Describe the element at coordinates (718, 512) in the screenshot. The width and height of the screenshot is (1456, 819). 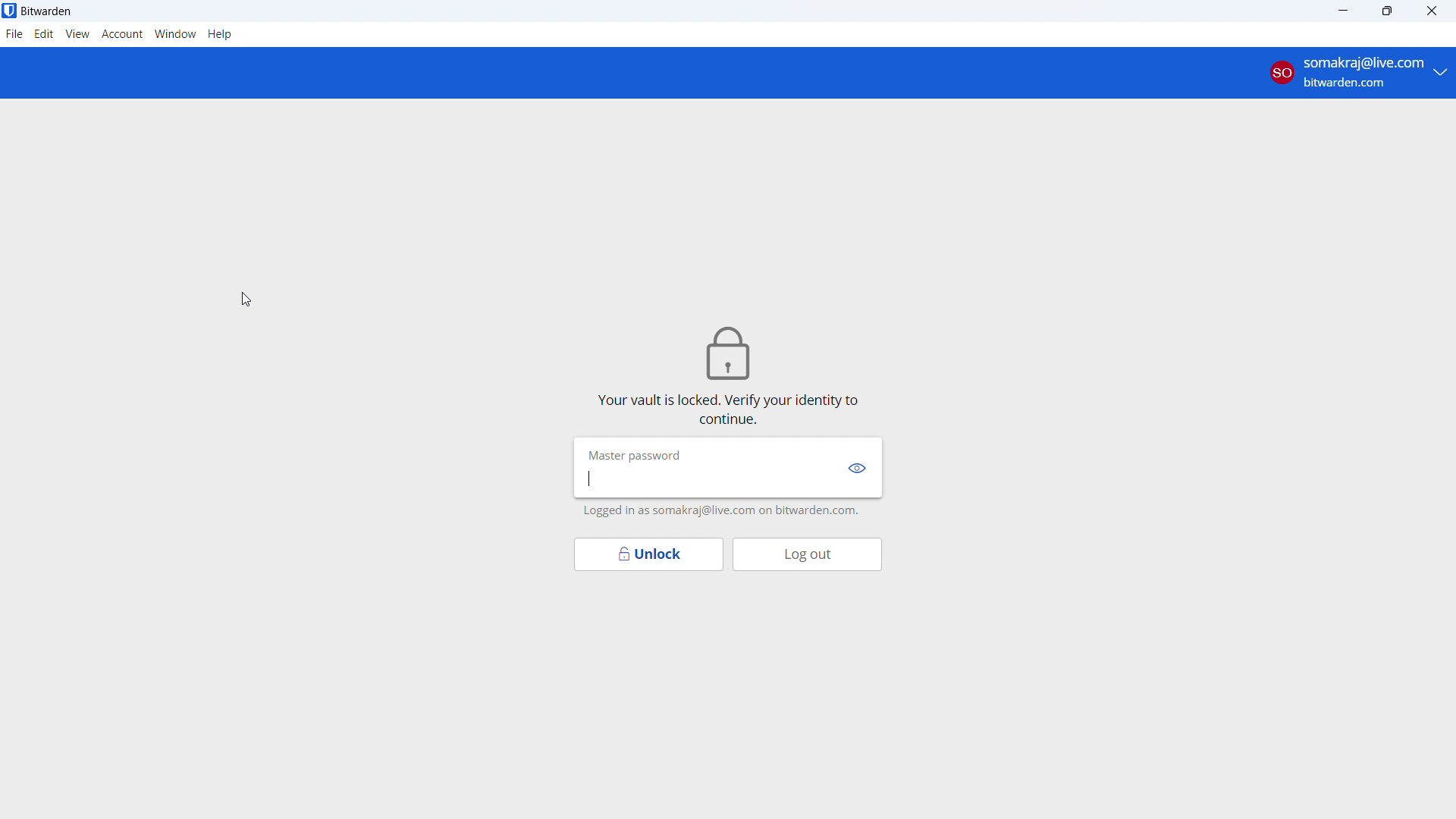
I see `logged in account info` at that location.